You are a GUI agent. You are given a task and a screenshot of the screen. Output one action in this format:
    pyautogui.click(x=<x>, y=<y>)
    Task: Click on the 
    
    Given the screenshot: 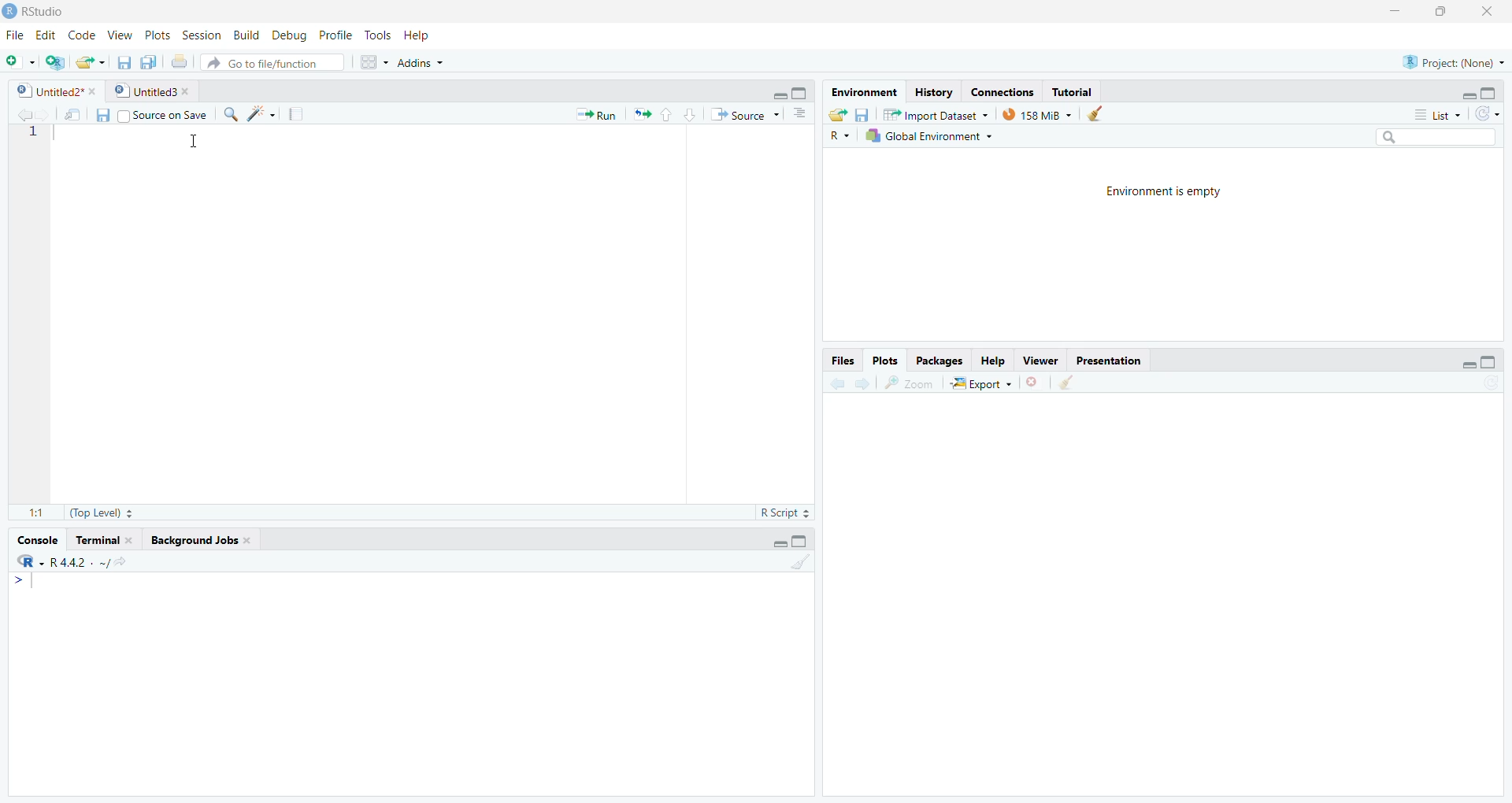 What is the action you would take?
    pyautogui.click(x=862, y=114)
    